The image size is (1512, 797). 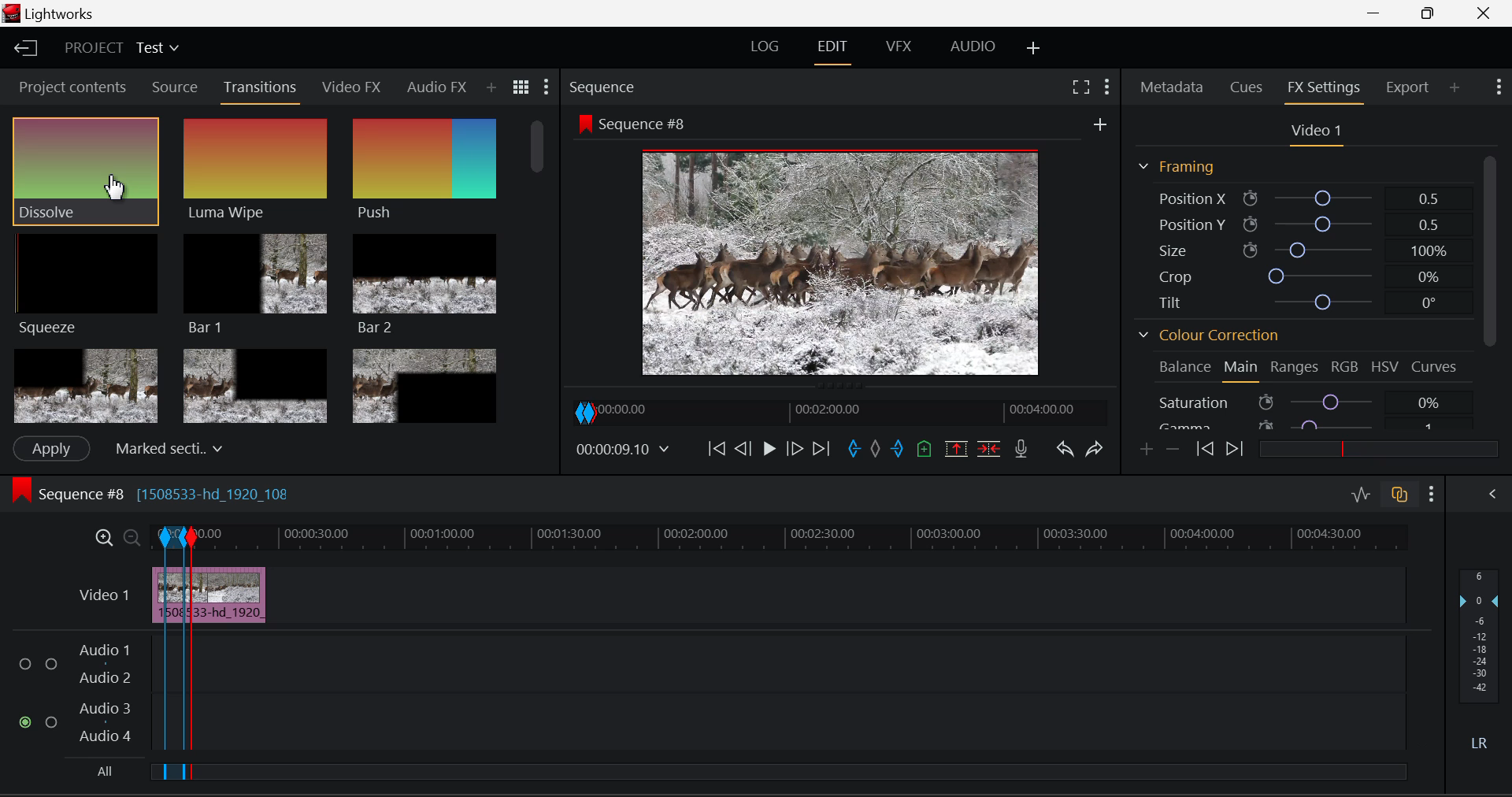 I want to click on Audio Input Checkbox, so click(x=27, y=664).